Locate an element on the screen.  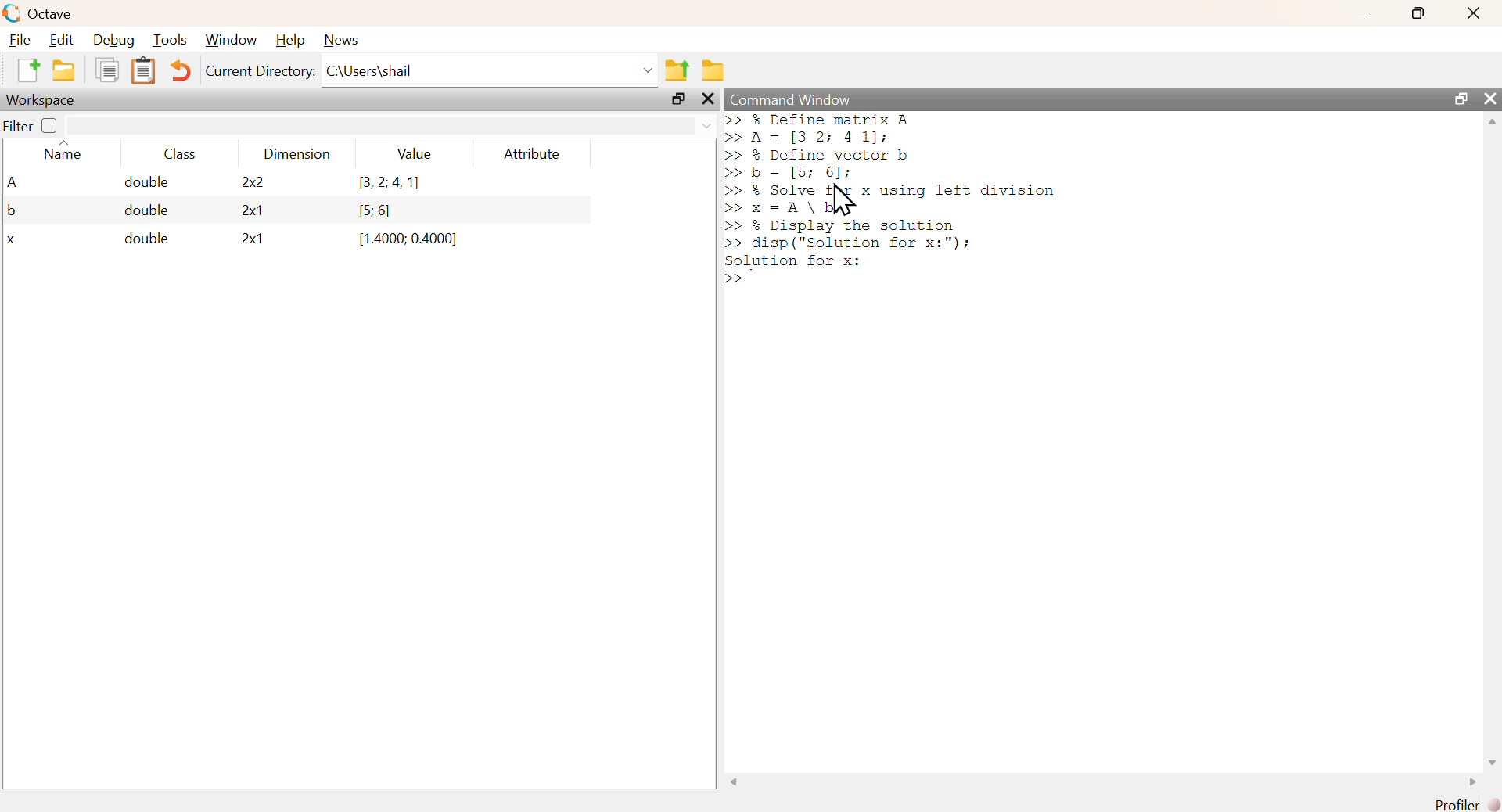
double is located at coordinates (138, 240).